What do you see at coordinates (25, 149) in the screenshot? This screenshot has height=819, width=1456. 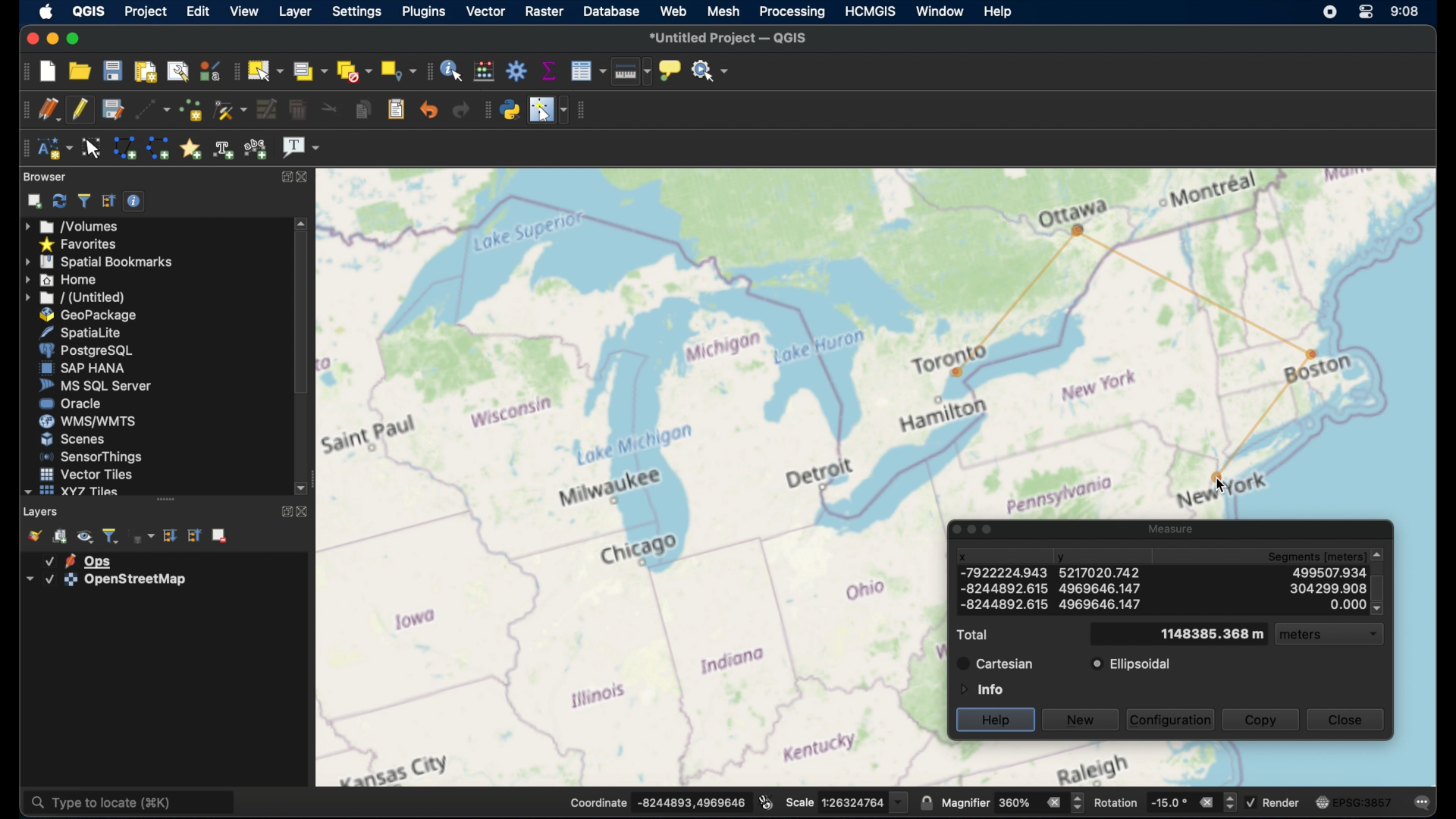 I see `annotation toolbar` at bounding box center [25, 149].